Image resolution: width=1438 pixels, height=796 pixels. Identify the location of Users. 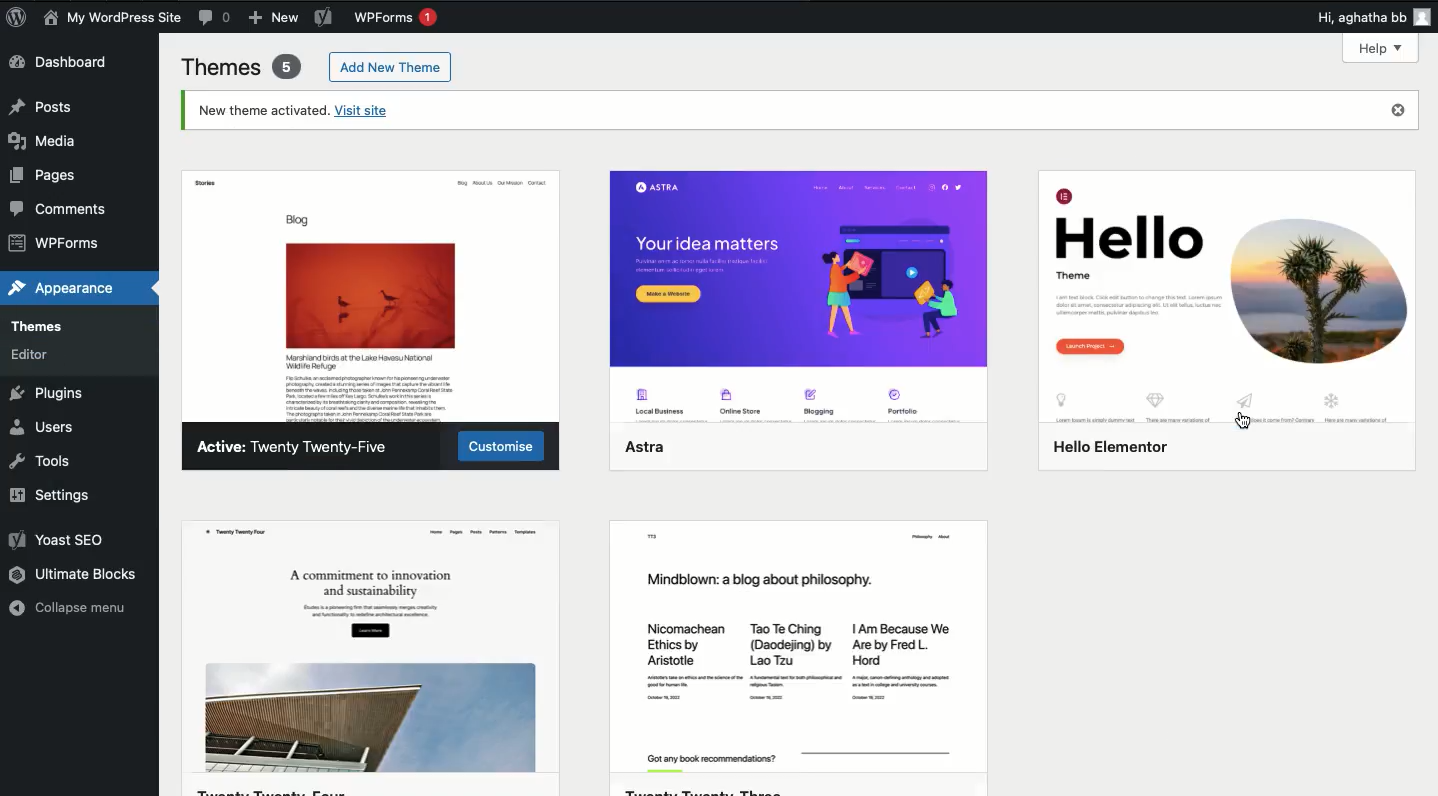
(43, 422).